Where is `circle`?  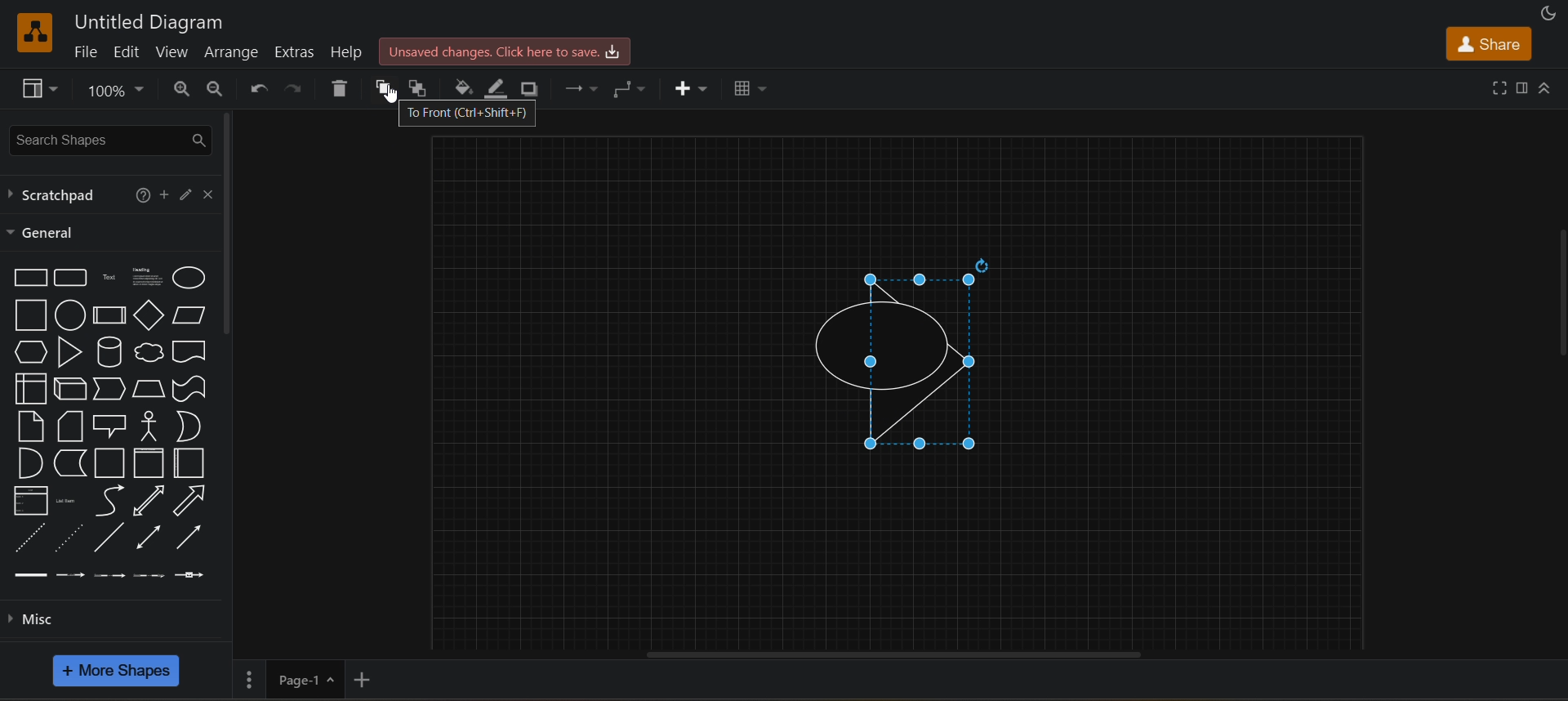 circle is located at coordinates (69, 315).